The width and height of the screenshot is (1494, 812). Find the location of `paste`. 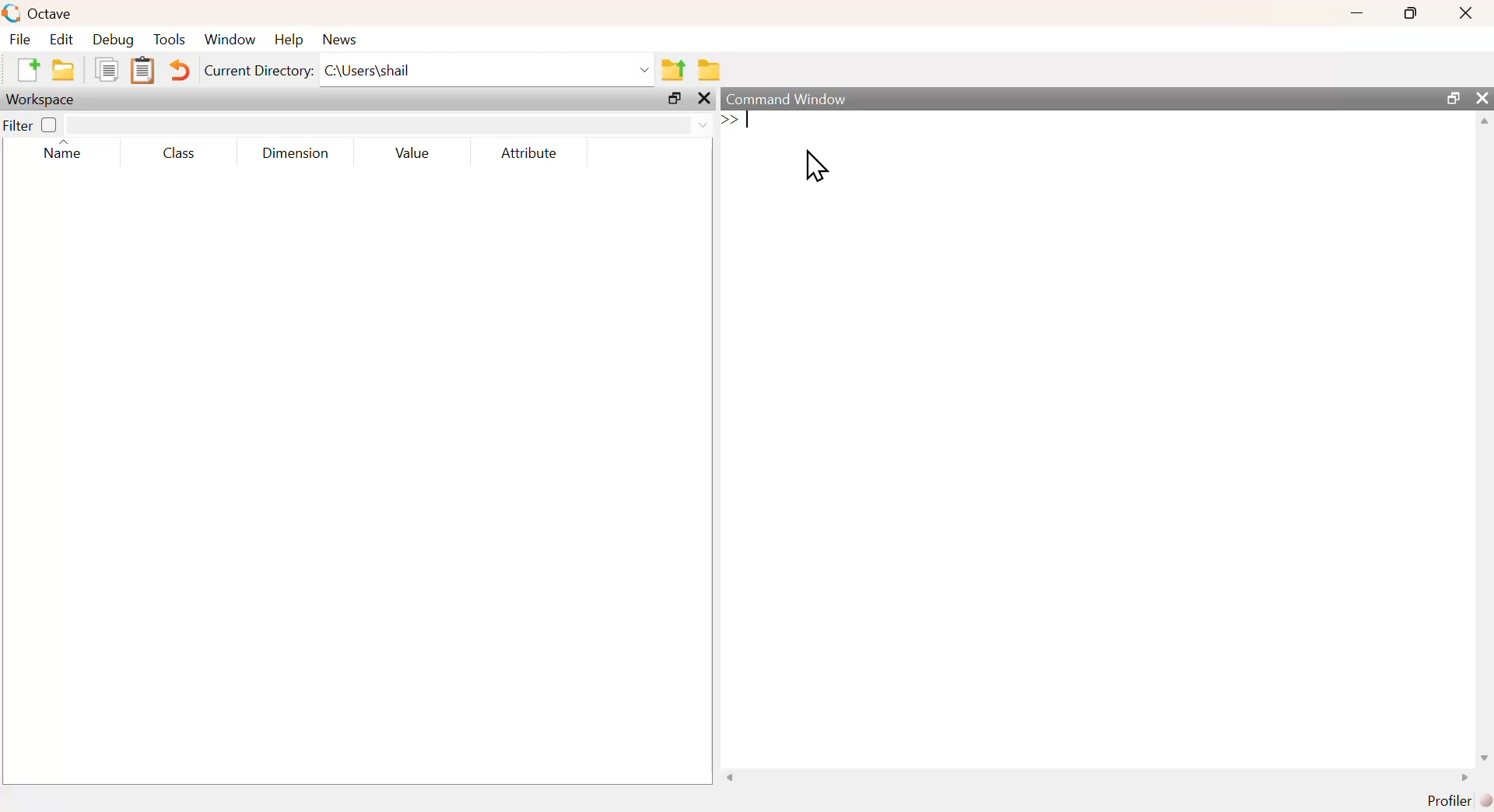

paste is located at coordinates (142, 71).